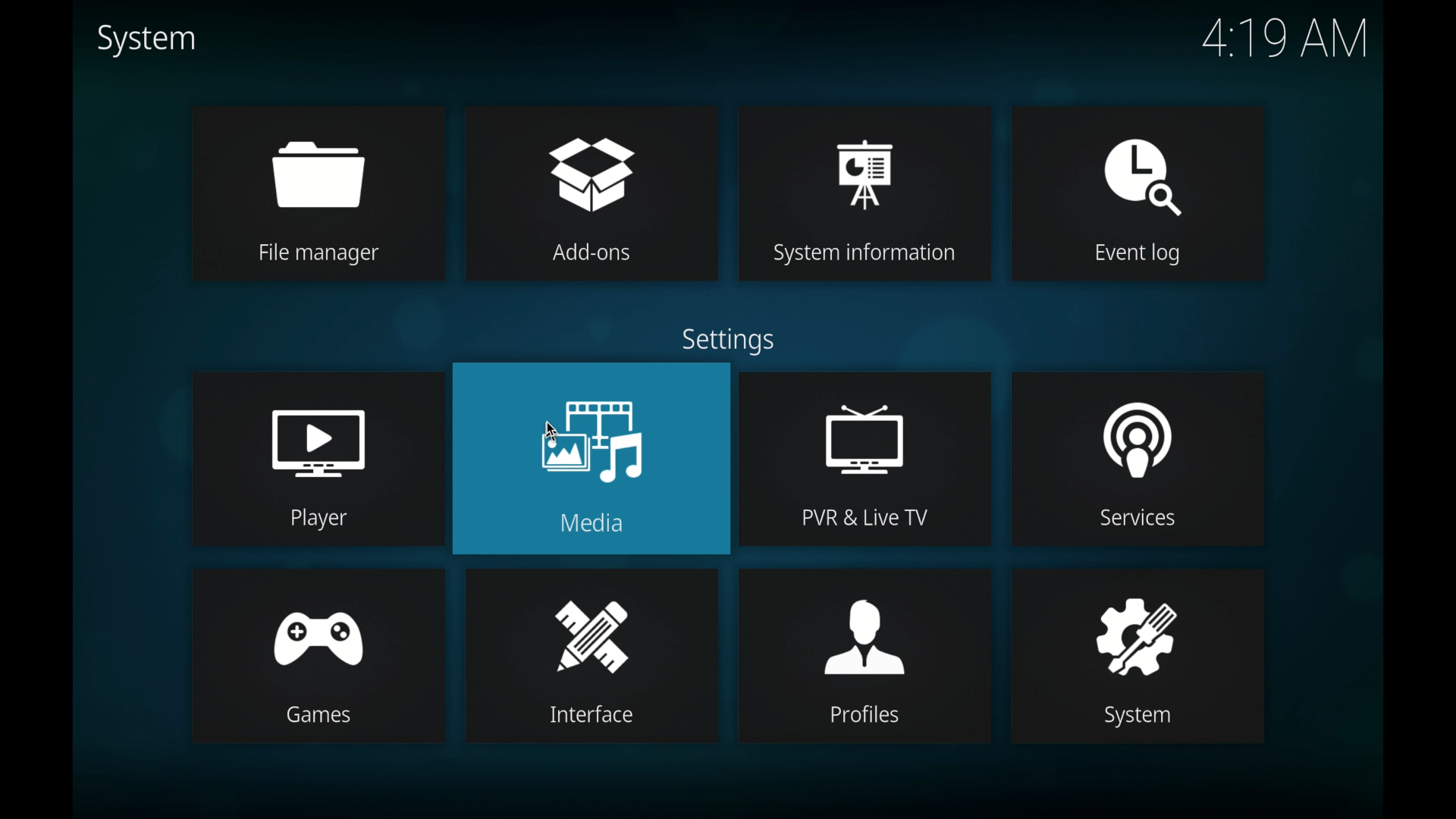  Describe the element at coordinates (1134, 457) in the screenshot. I see `services` at that location.